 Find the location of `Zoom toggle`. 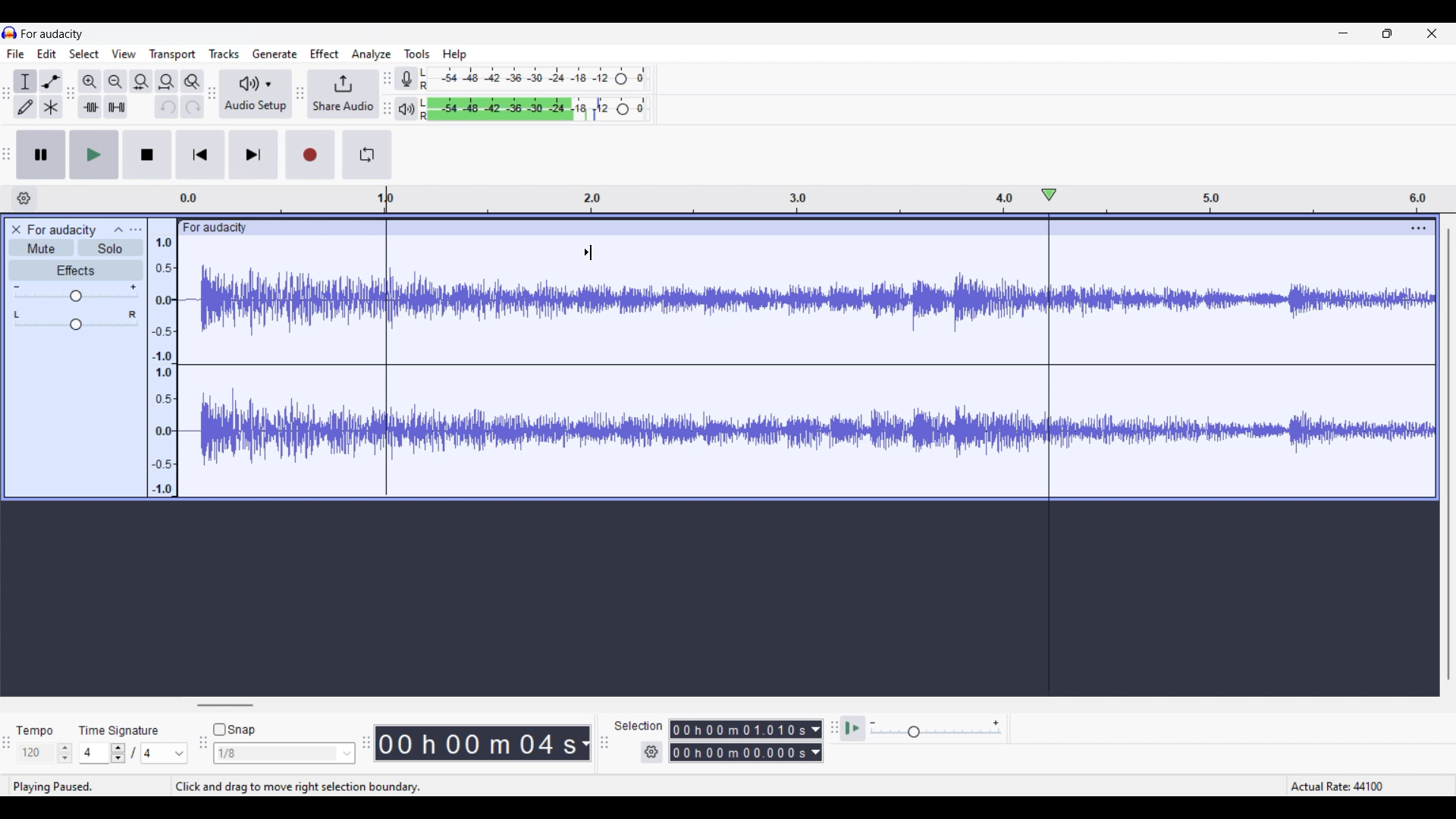

Zoom toggle is located at coordinates (193, 82).